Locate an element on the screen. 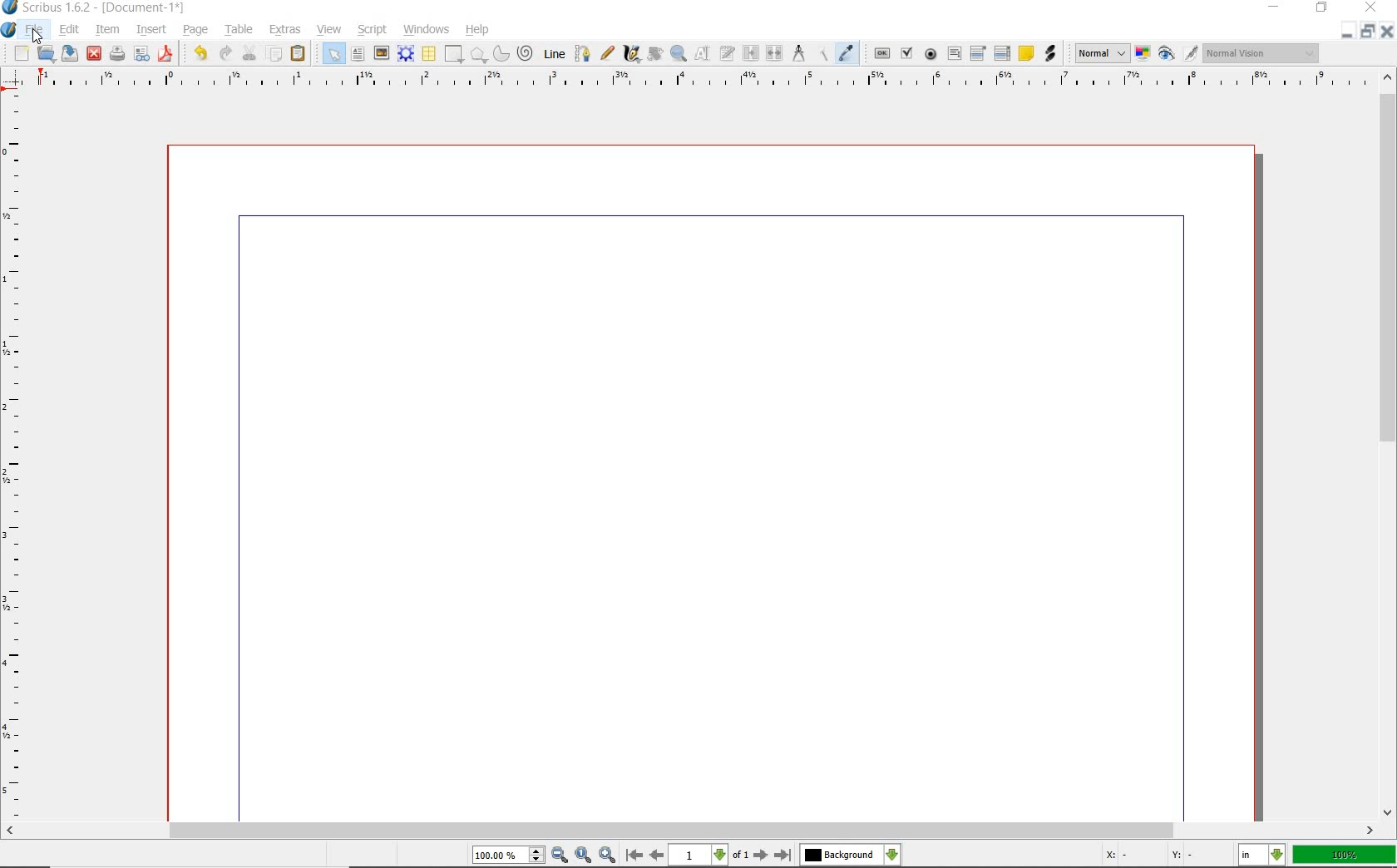 The image size is (1397, 868).  is located at coordinates (141, 57).